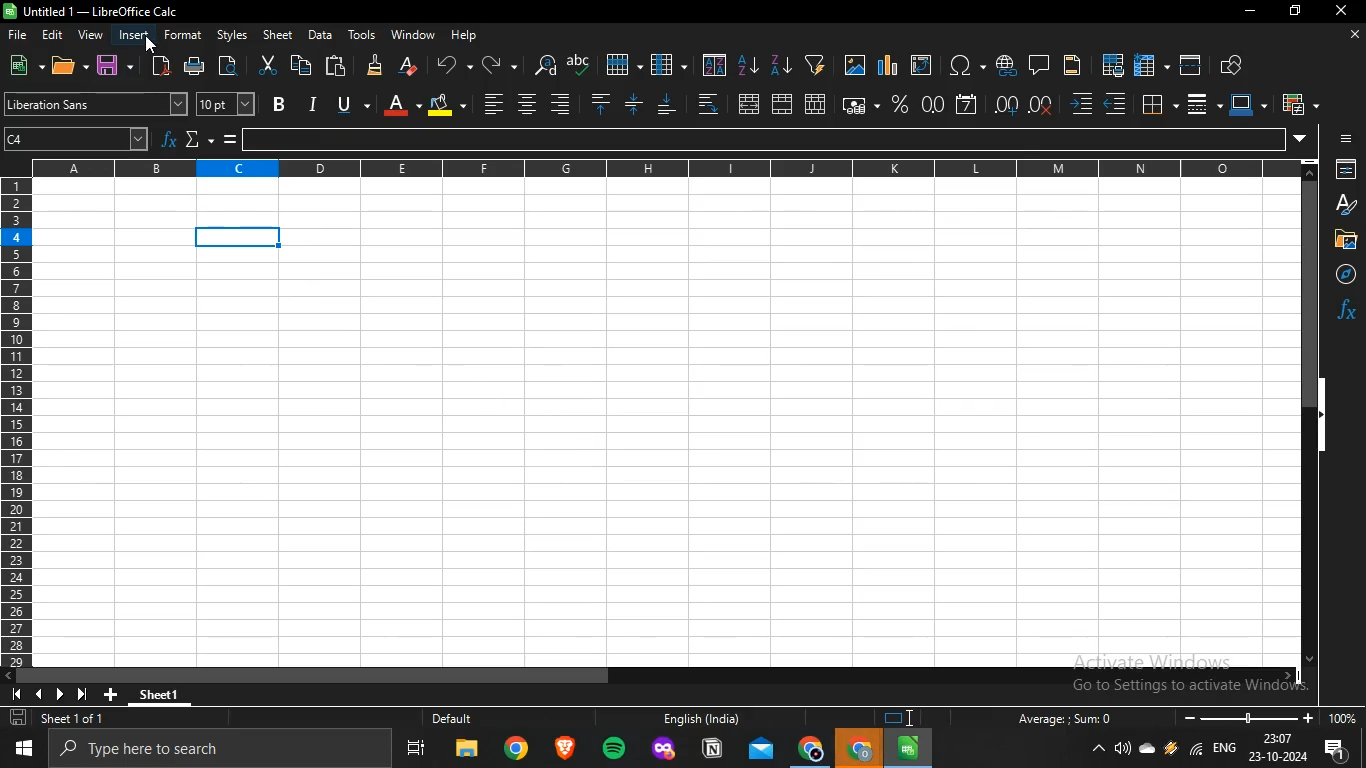  I want to click on google chrome, so click(860, 749).